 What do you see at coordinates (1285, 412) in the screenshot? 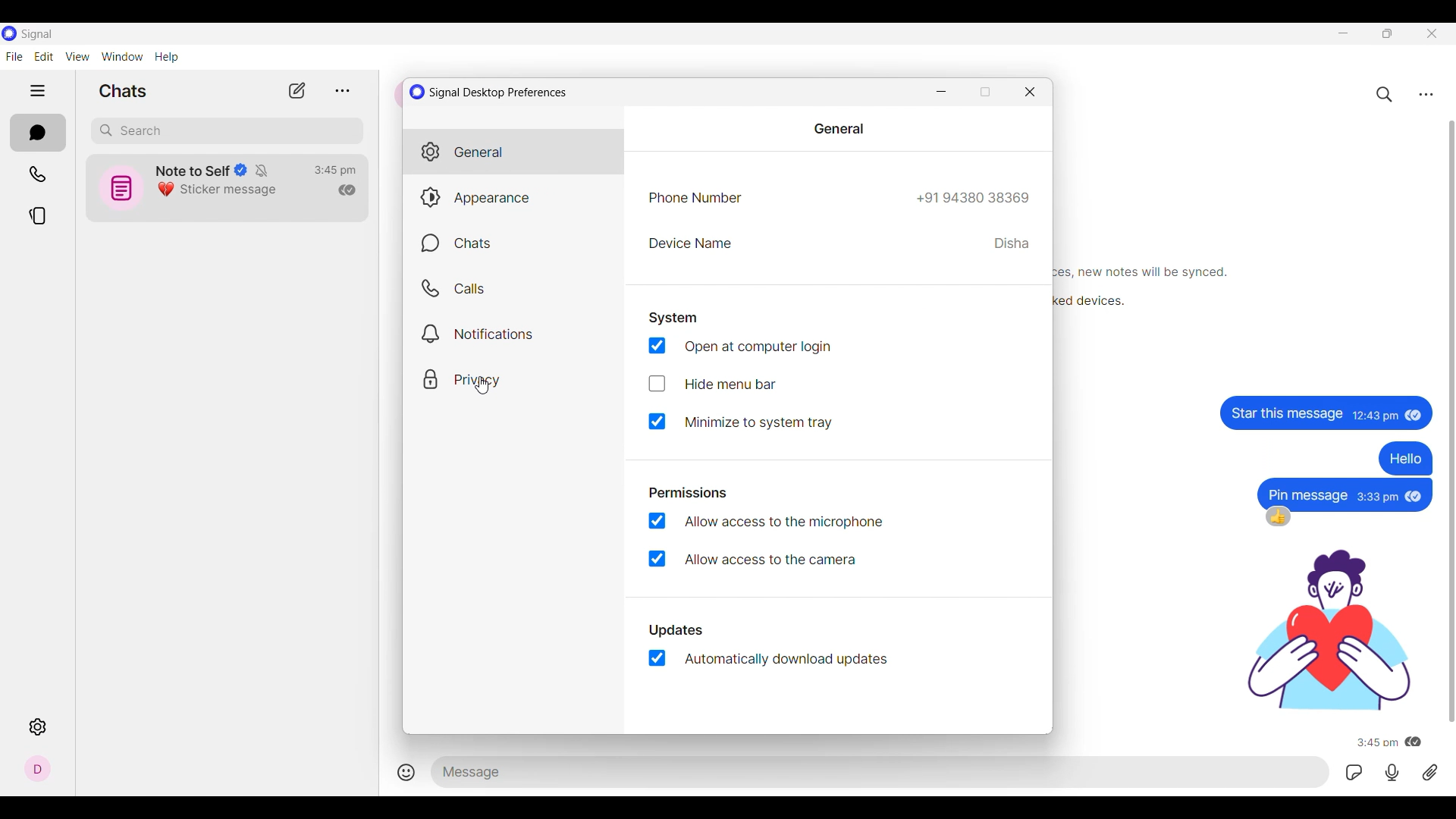
I see `Text message` at bounding box center [1285, 412].